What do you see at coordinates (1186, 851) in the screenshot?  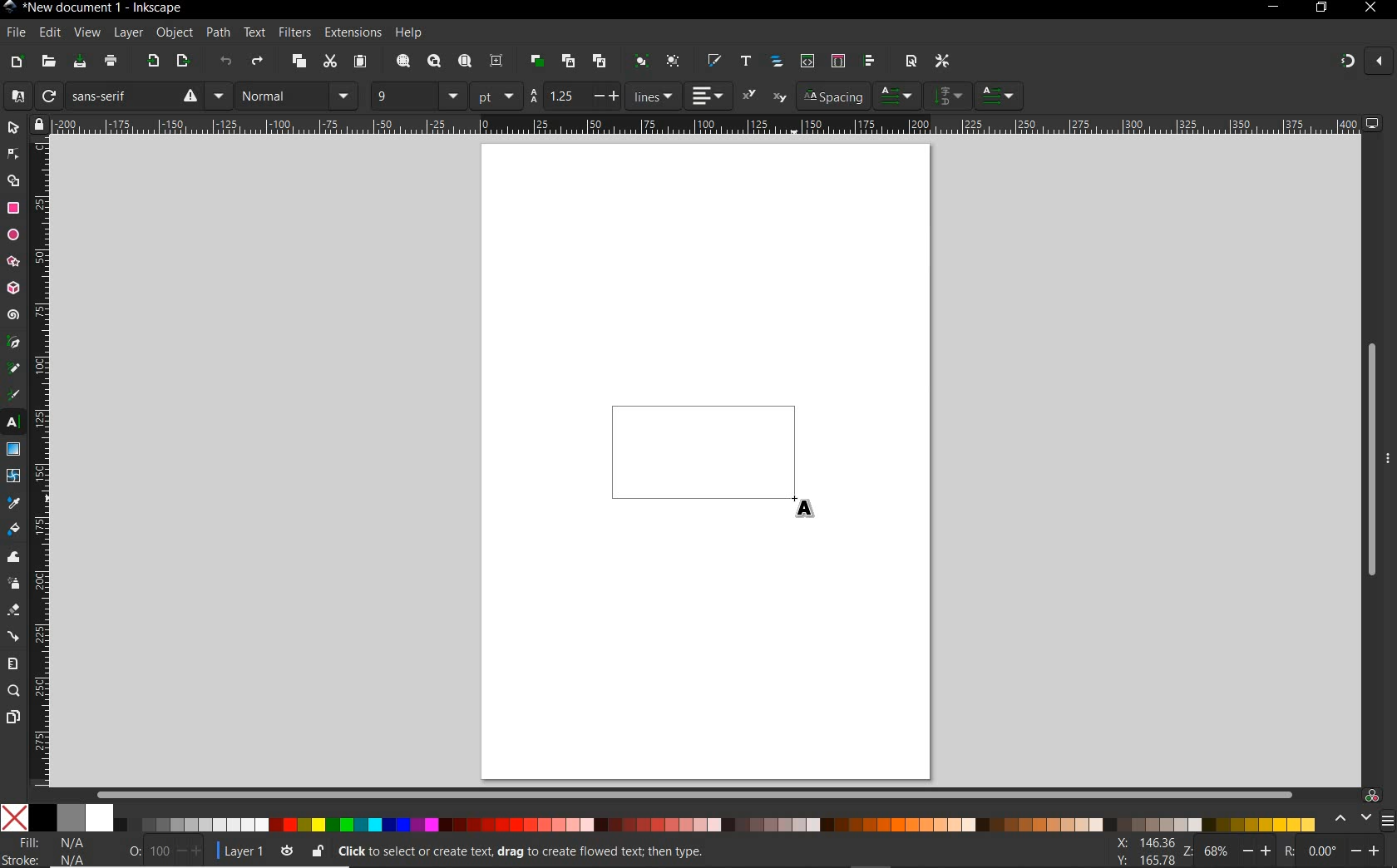 I see `zoom` at bounding box center [1186, 851].